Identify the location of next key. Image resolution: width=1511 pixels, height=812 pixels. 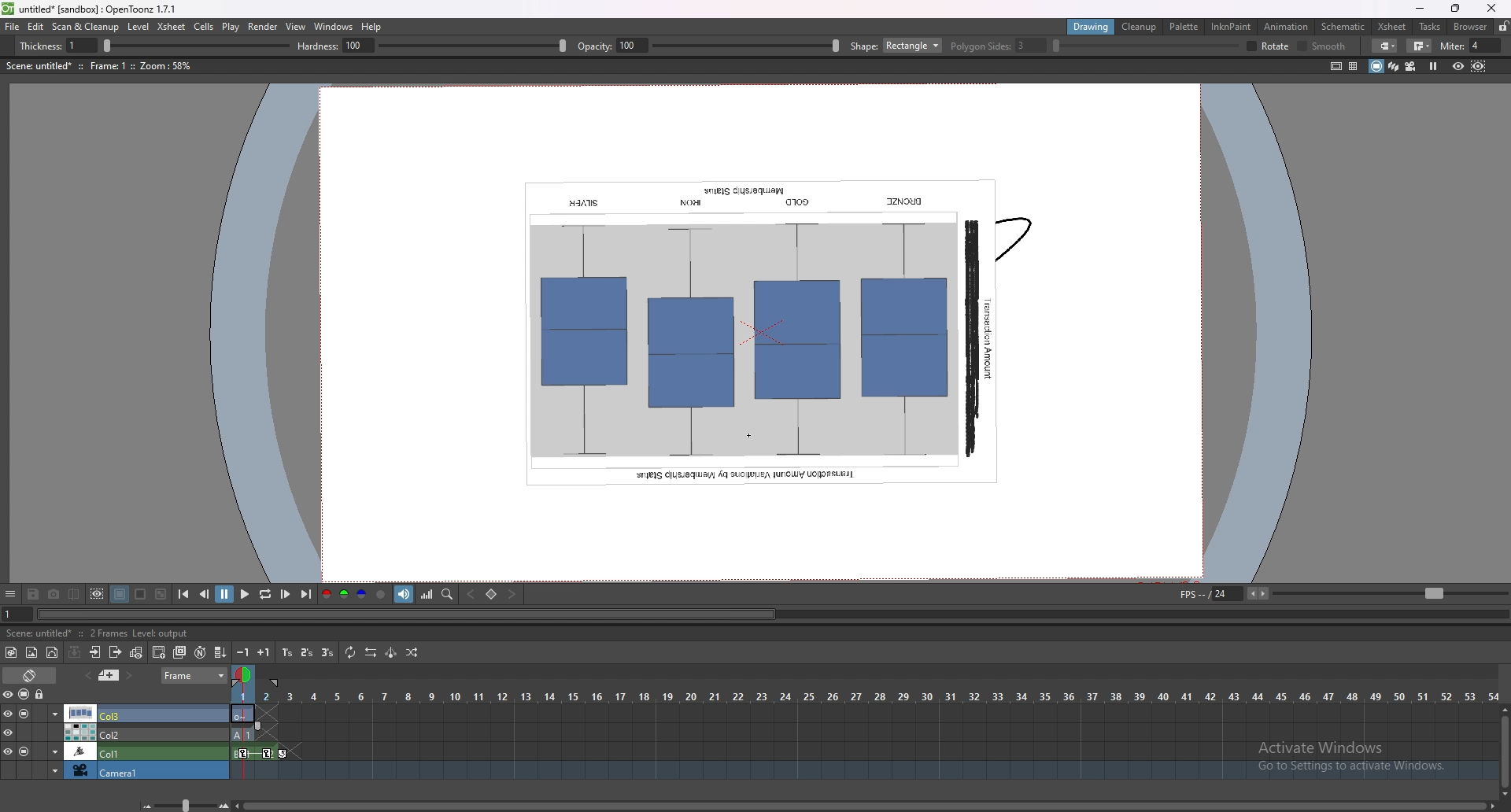
(512, 593).